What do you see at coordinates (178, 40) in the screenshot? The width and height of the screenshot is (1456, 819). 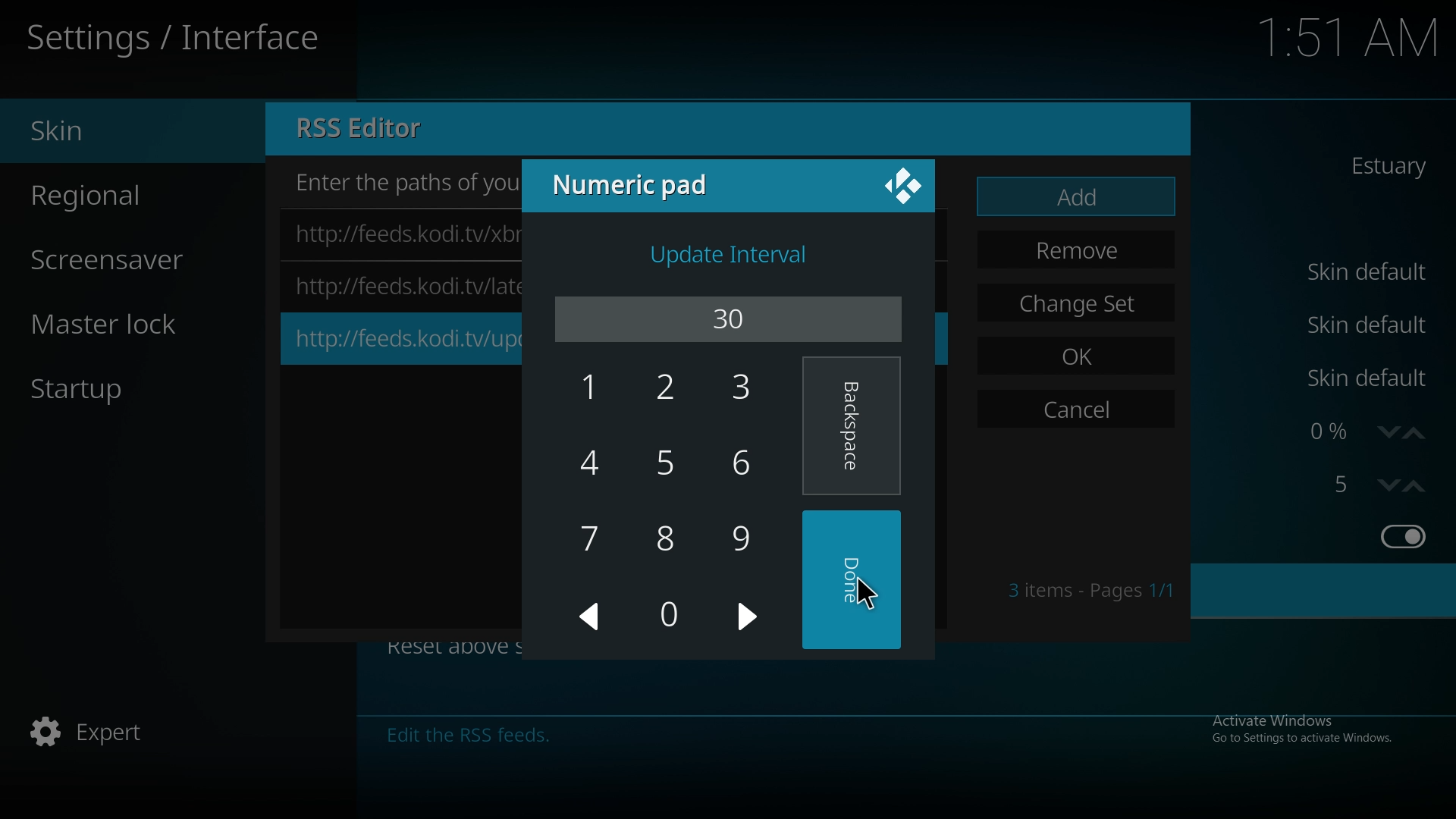 I see `settings/interface` at bounding box center [178, 40].